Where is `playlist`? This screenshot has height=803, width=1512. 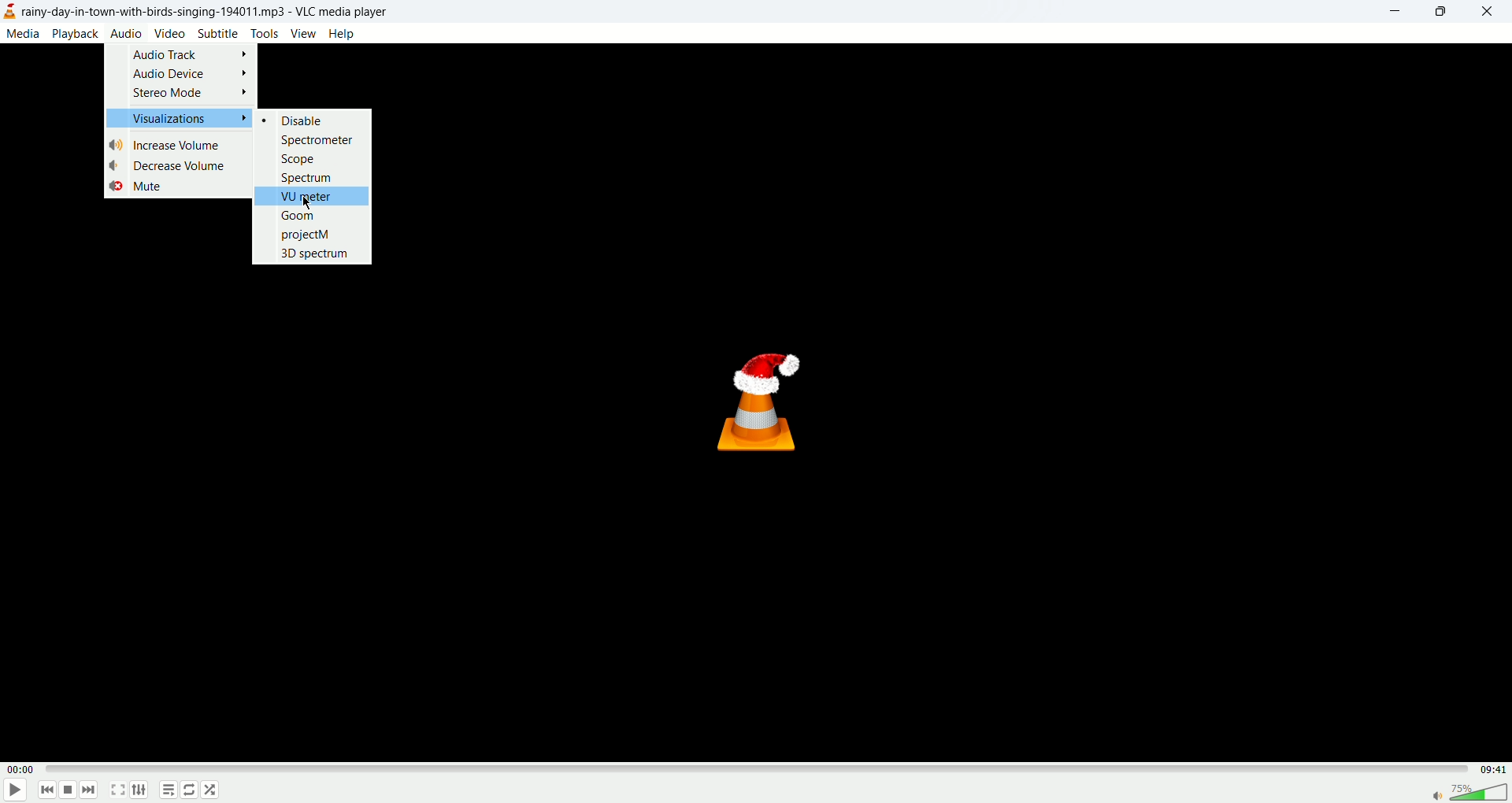 playlist is located at coordinates (169, 792).